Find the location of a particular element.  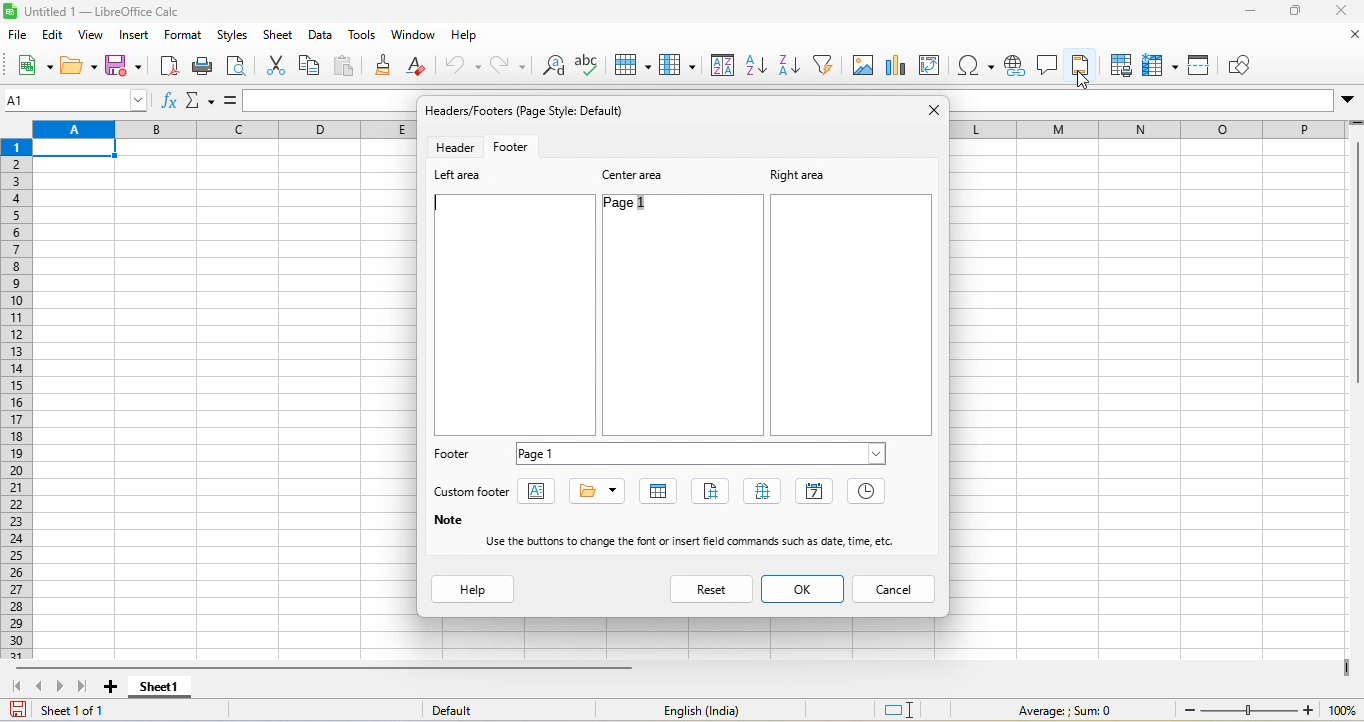

formula is located at coordinates (231, 99).